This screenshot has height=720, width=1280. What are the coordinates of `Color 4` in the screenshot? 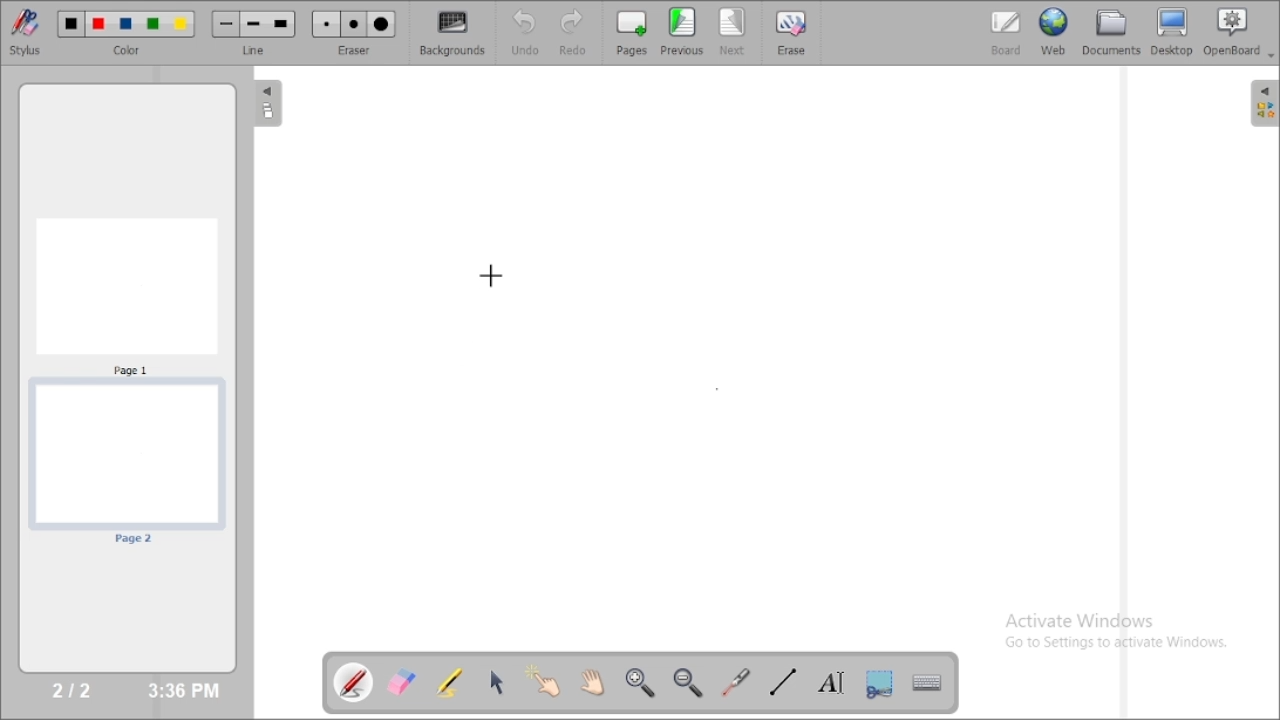 It's located at (153, 25).